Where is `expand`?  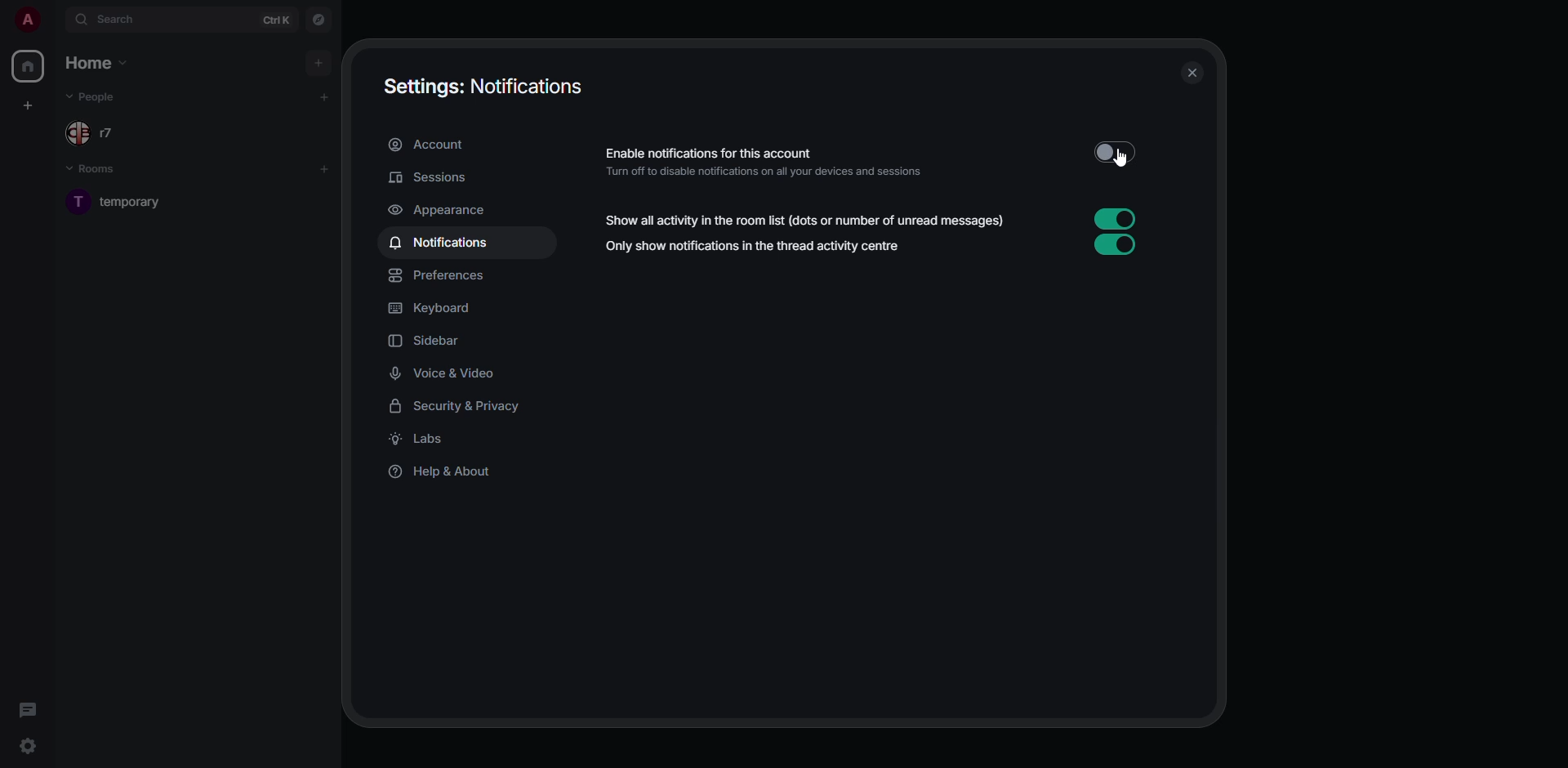
expand is located at coordinates (54, 20).